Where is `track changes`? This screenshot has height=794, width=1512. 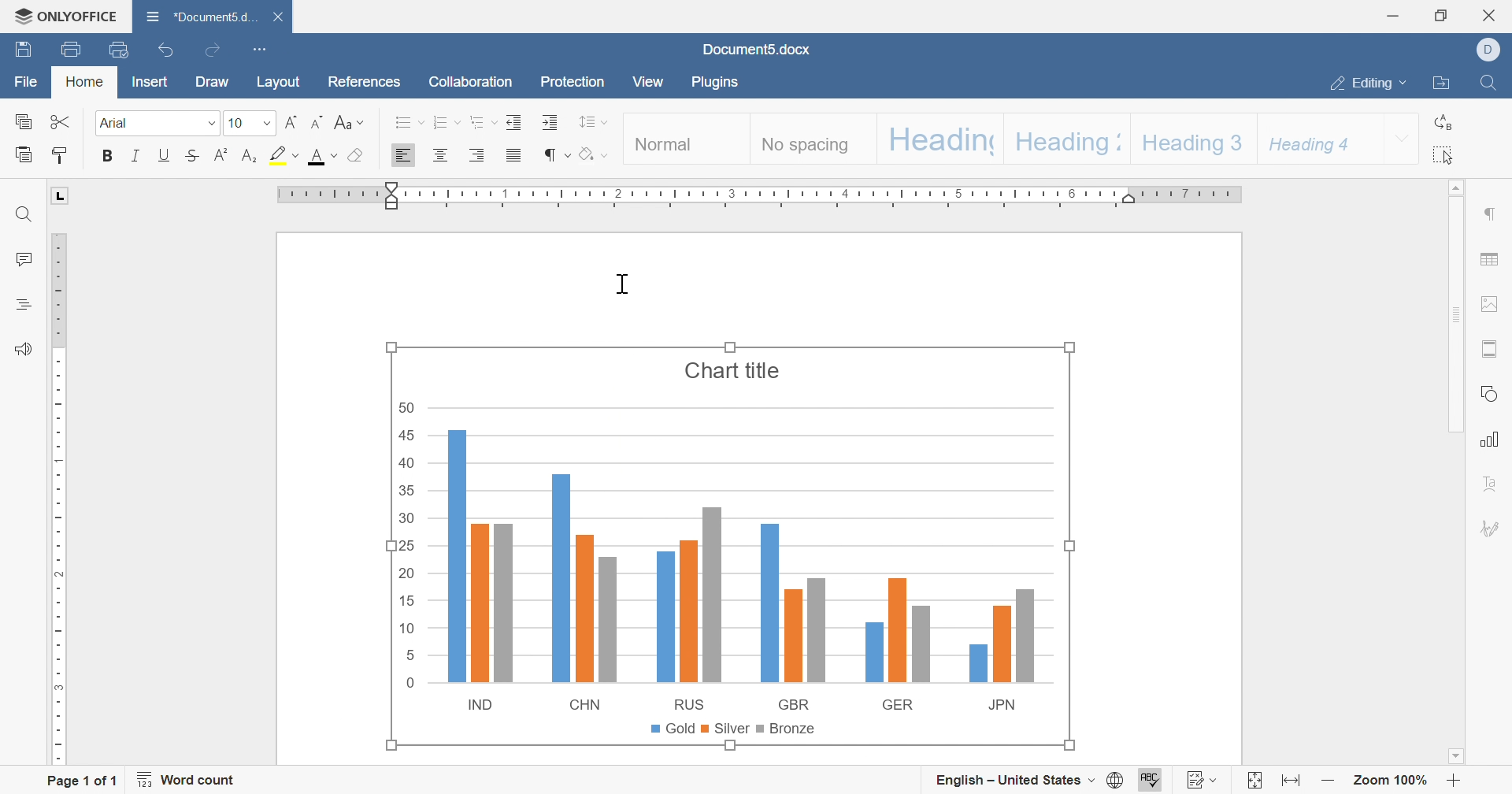 track changes is located at coordinates (1203, 779).